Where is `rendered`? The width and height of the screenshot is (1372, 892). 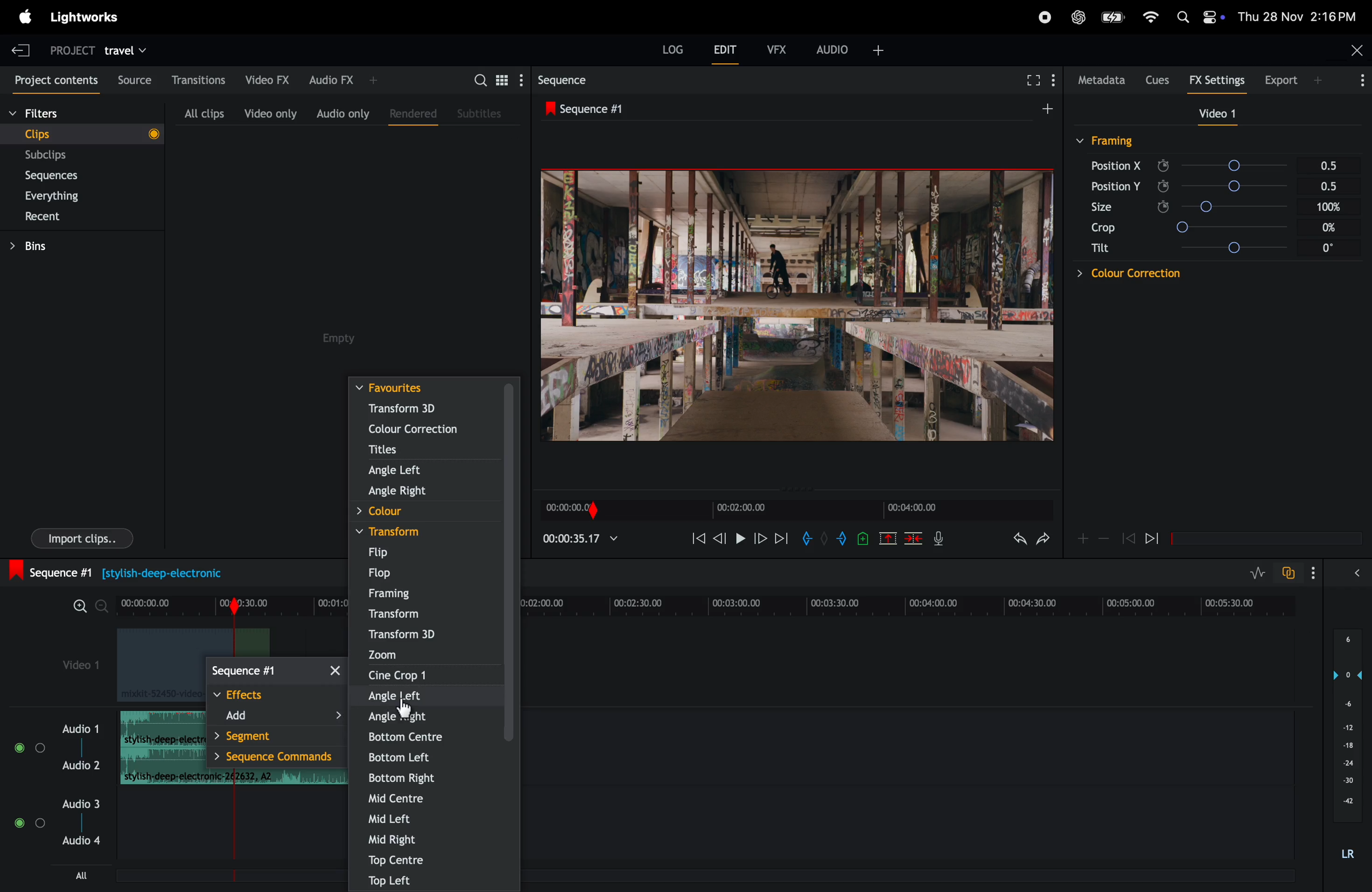 rendered is located at coordinates (409, 111).